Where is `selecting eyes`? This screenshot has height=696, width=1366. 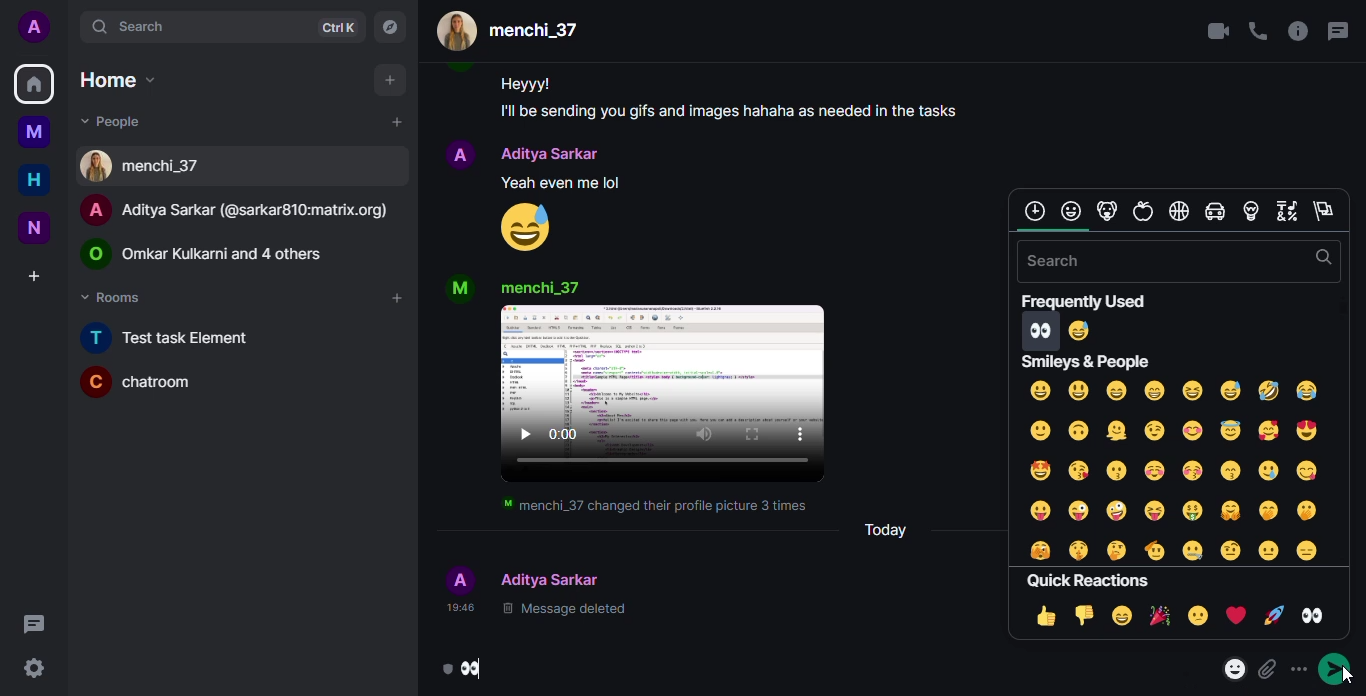 selecting eyes is located at coordinates (1324, 632).